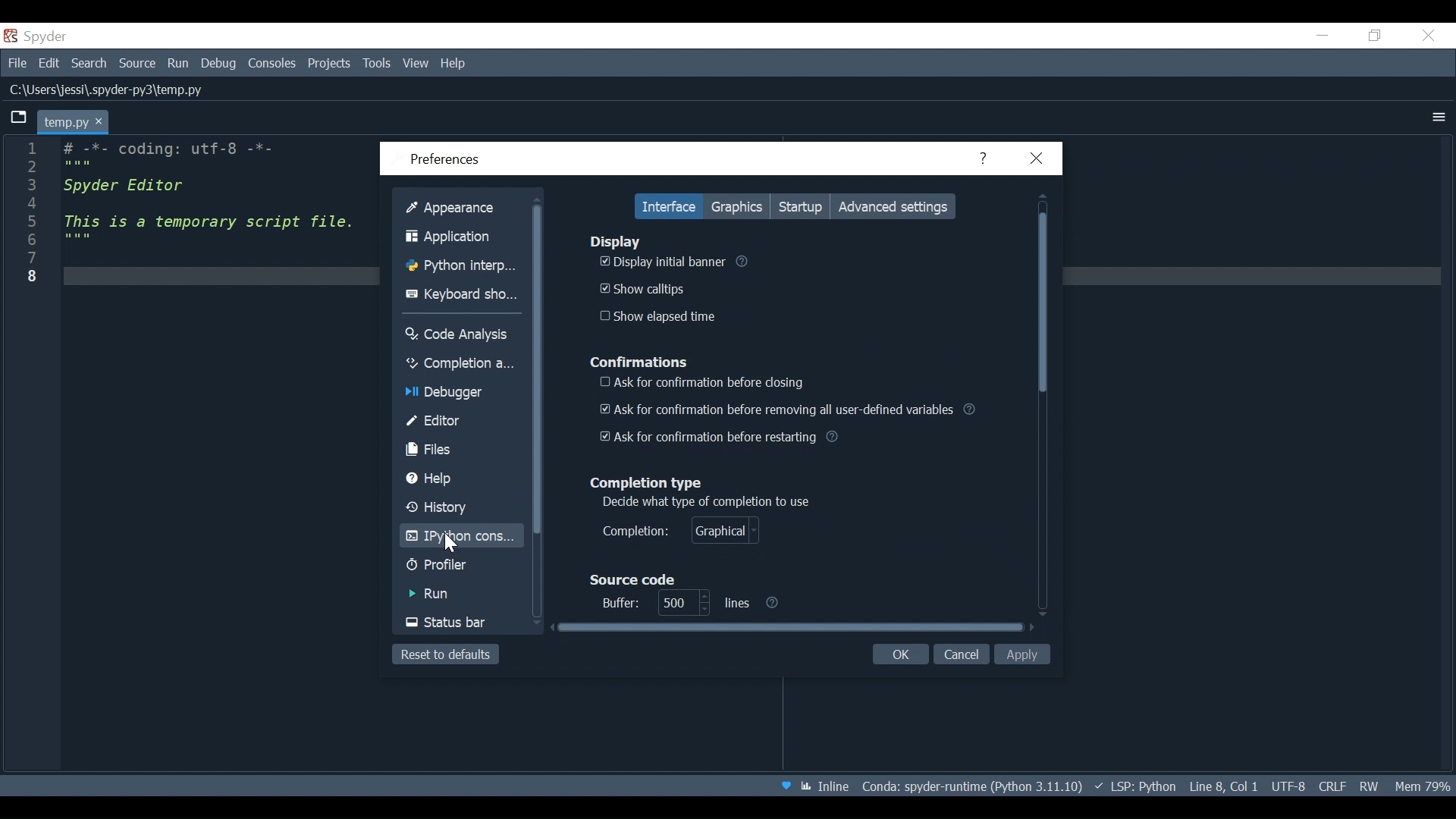 This screenshot has width=1456, height=819. I want to click on Language, so click(1180, 787).